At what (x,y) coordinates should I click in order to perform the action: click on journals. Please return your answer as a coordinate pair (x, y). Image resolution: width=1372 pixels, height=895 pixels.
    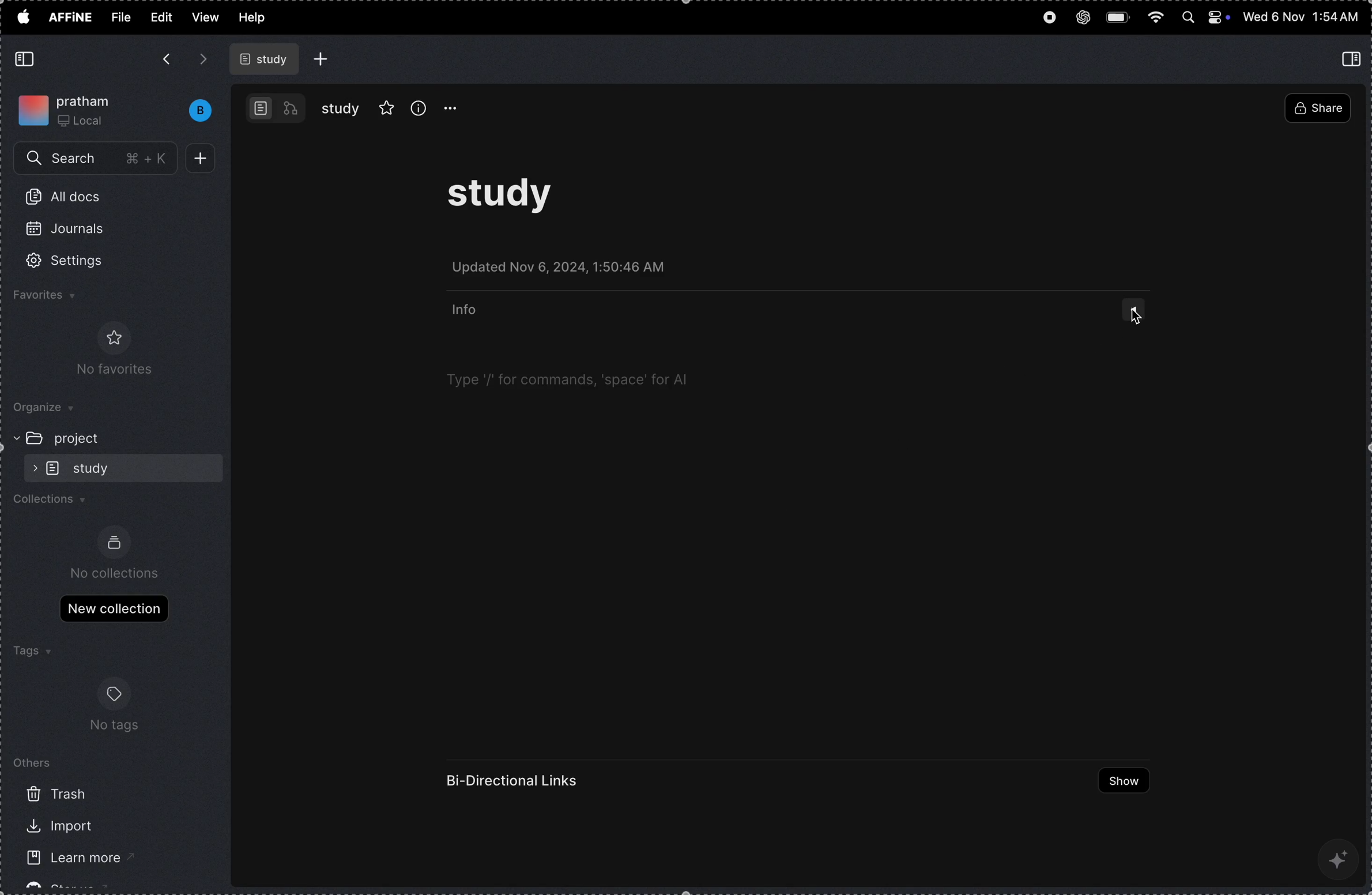
    Looking at the image, I should click on (73, 234).